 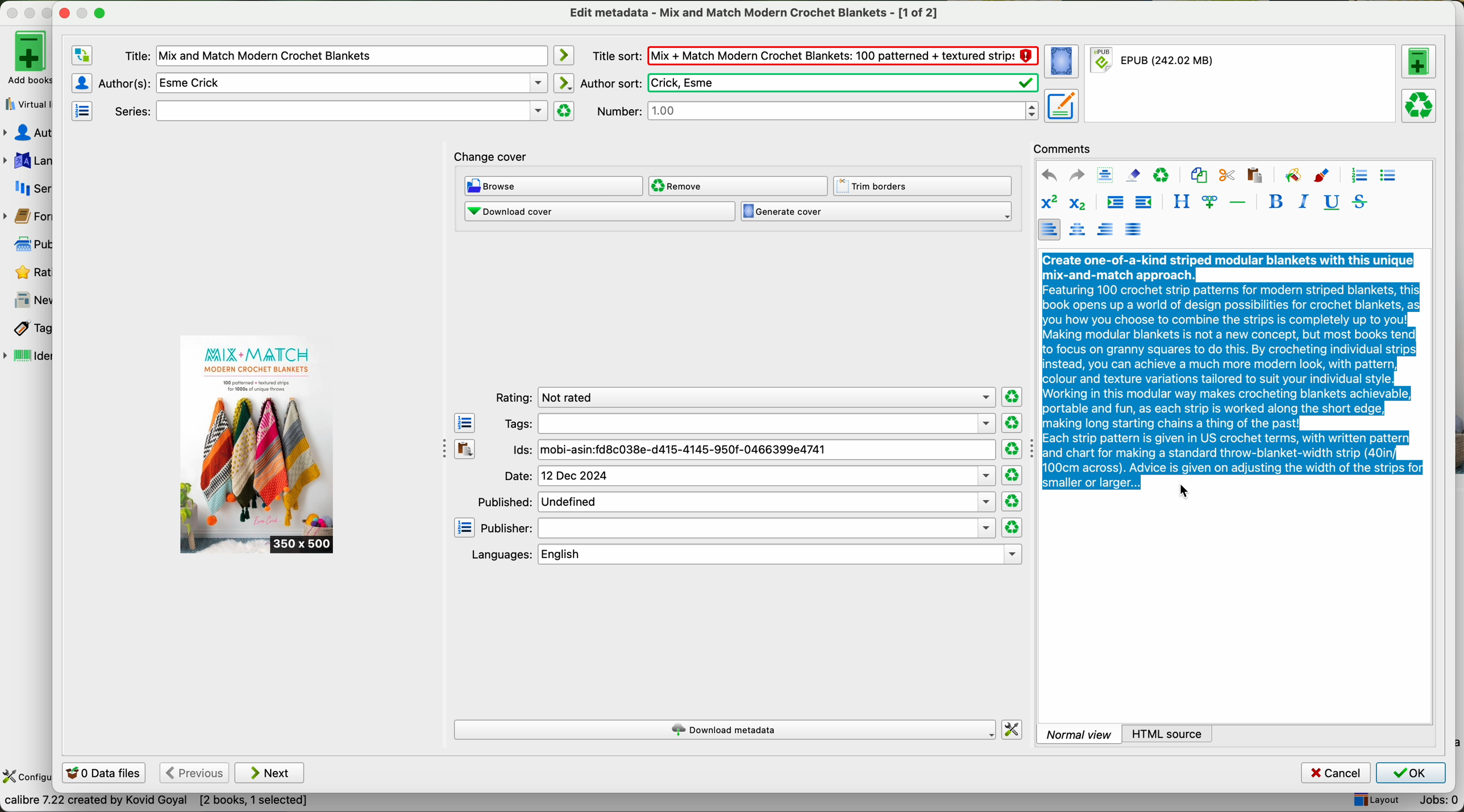 What do you see at coordinates (1187, 492) in the screenshot?
I see `cursor` at bounding box center [1187, 492].